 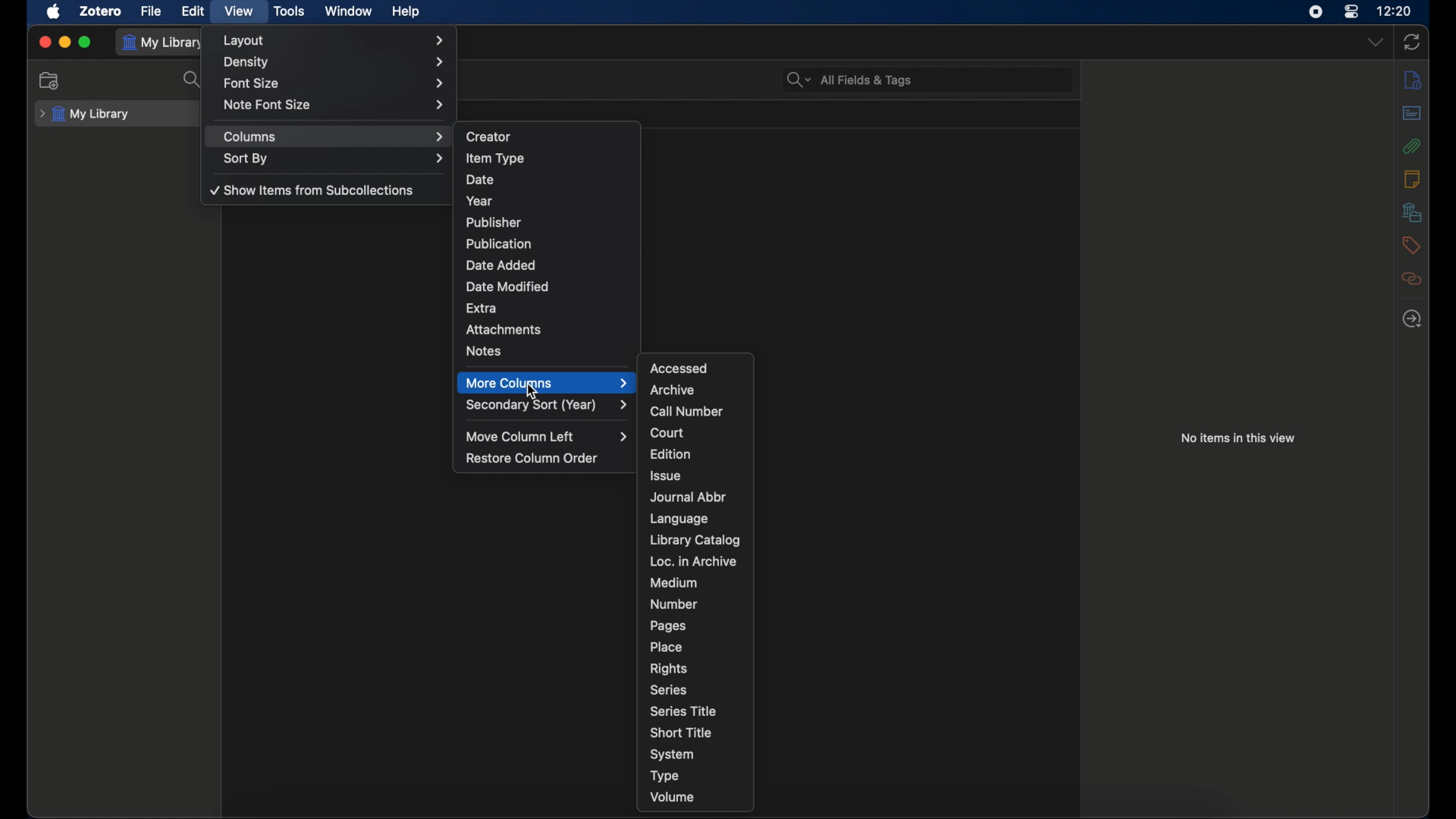 What do you see at coordinates (682, 519) in the screenshot?
I see `language` at bounding box center [682, 519].